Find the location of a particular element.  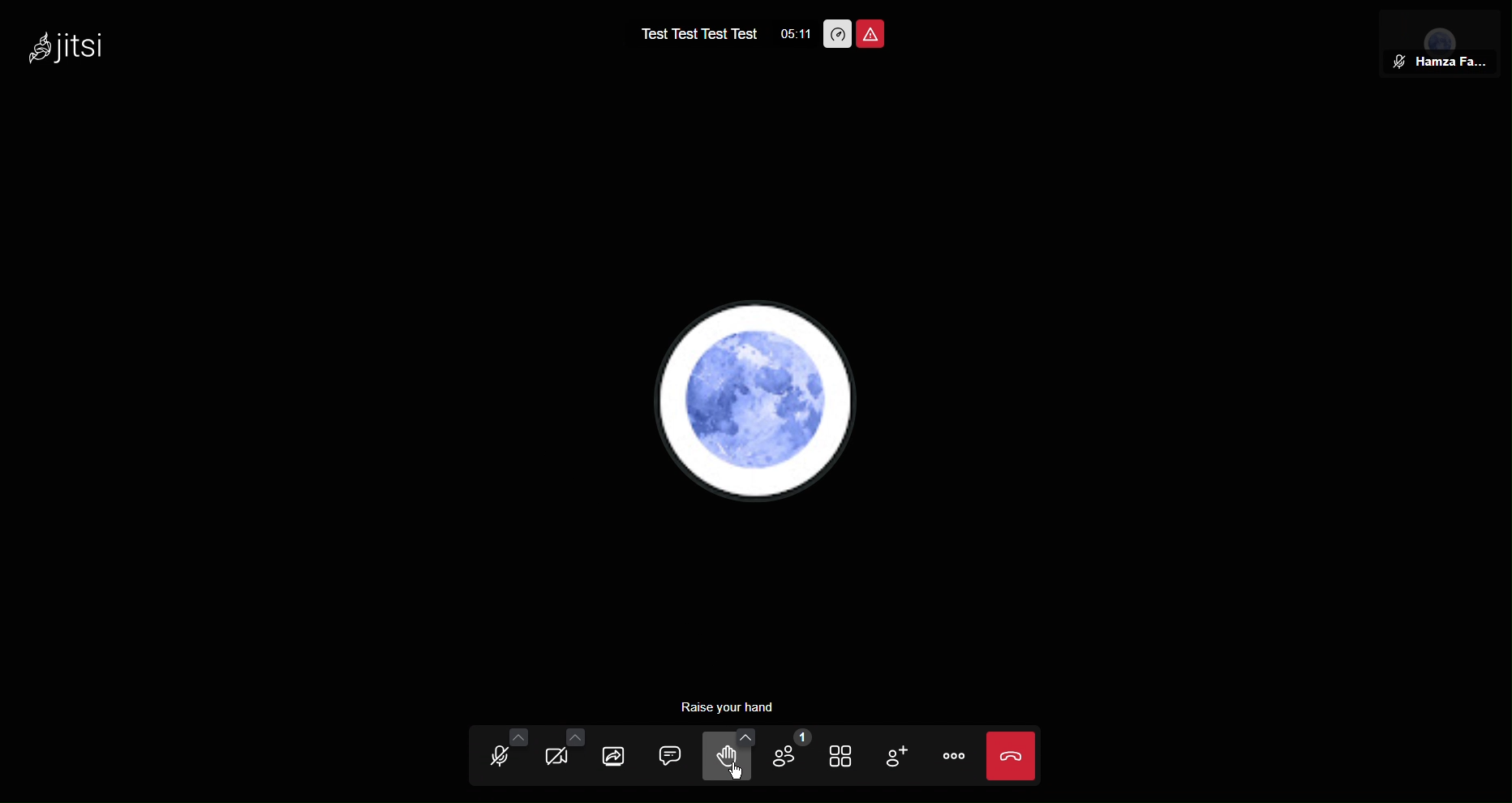

Add Member is located at coordinates (903, 754).